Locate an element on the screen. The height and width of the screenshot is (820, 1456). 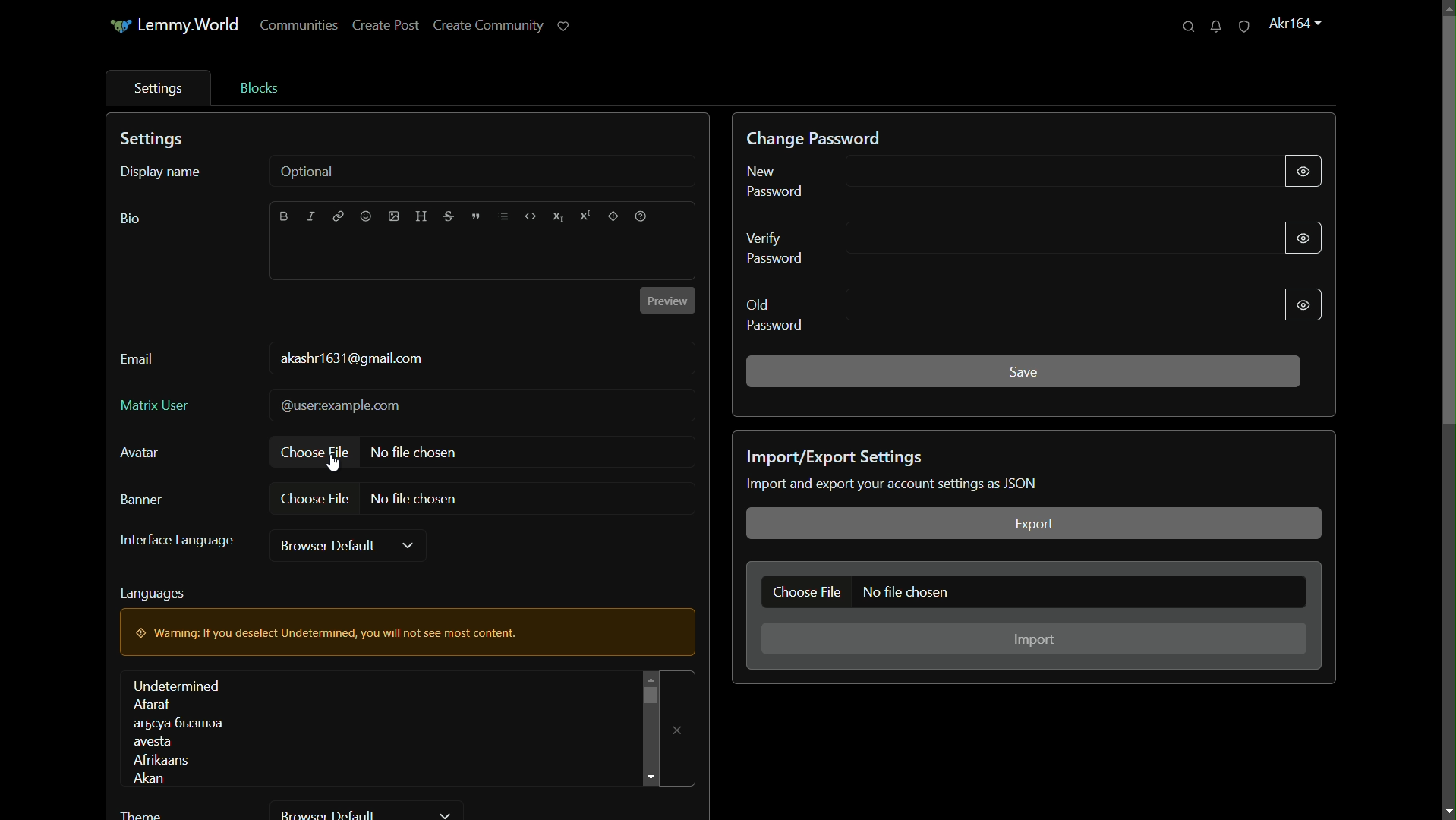
code is located at coordinates (530, 216).